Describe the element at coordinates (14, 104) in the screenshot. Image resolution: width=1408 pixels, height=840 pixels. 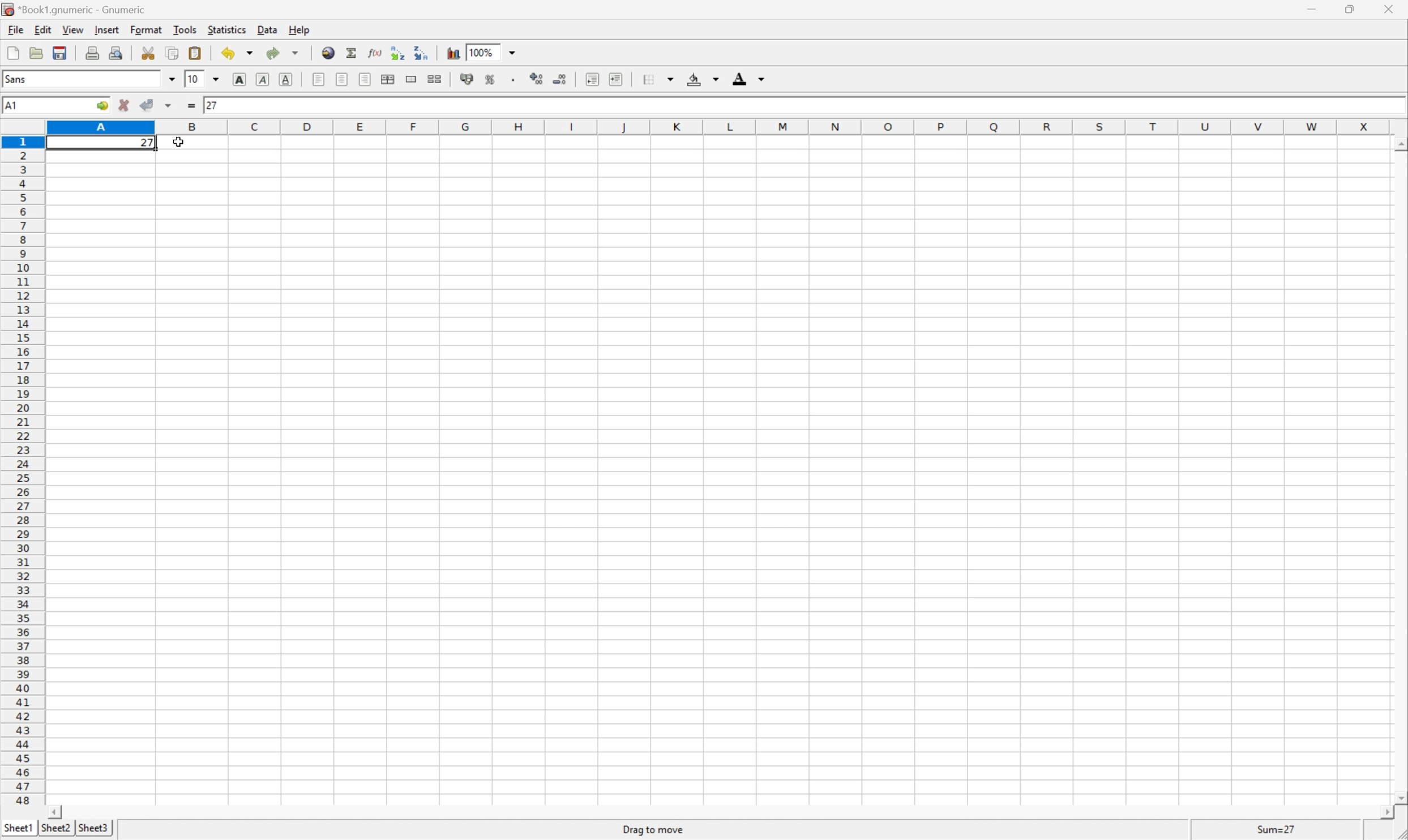
I see `A1` at that location.